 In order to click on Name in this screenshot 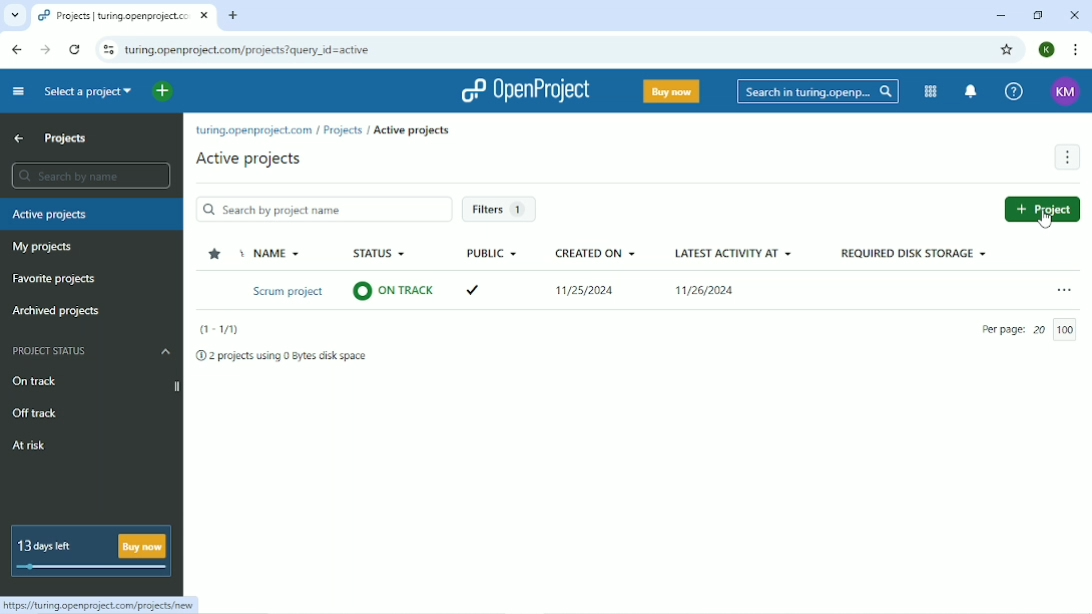, I will do `click(273, 253)`.